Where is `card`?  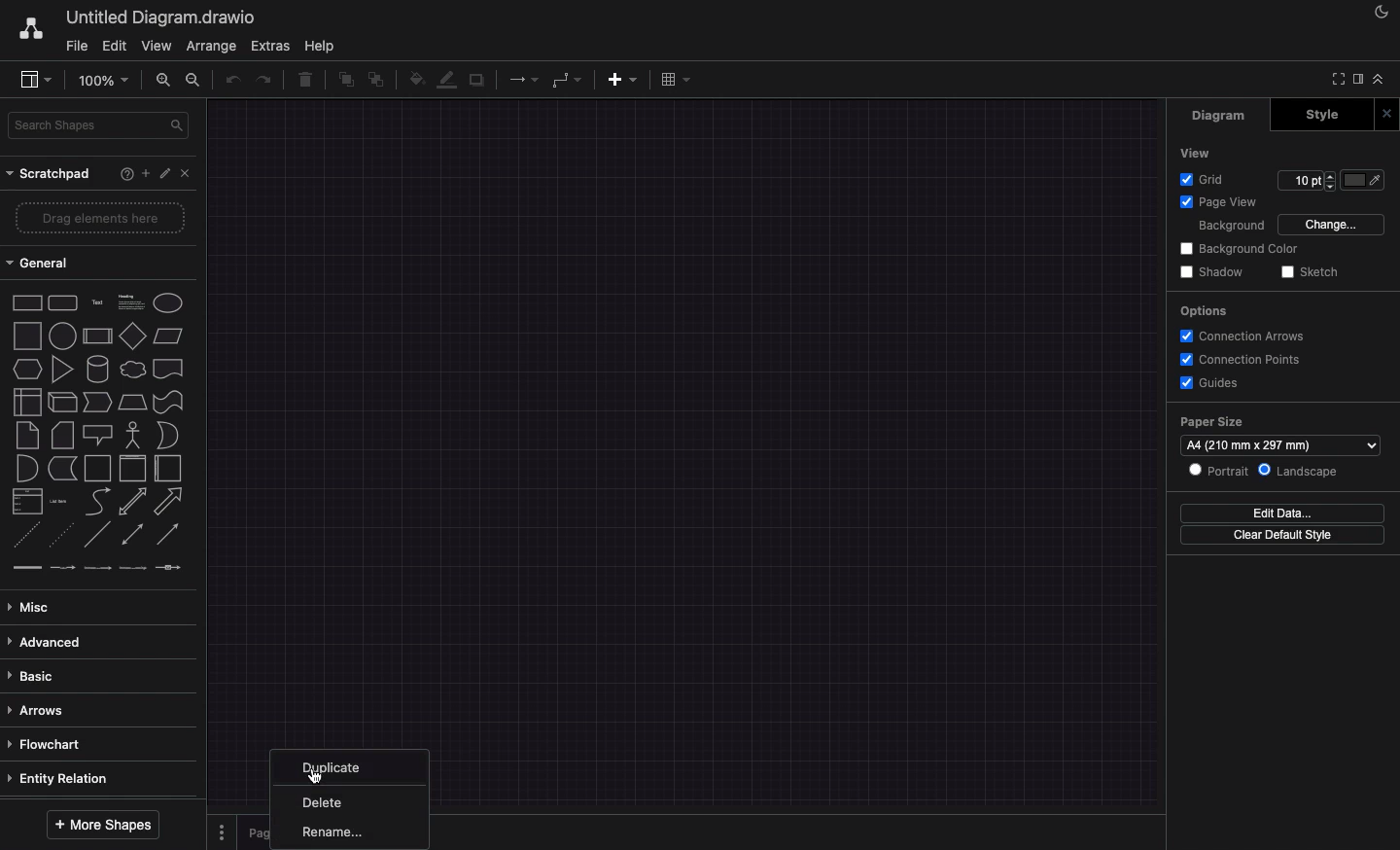 card is located at coordinates (63, 435).